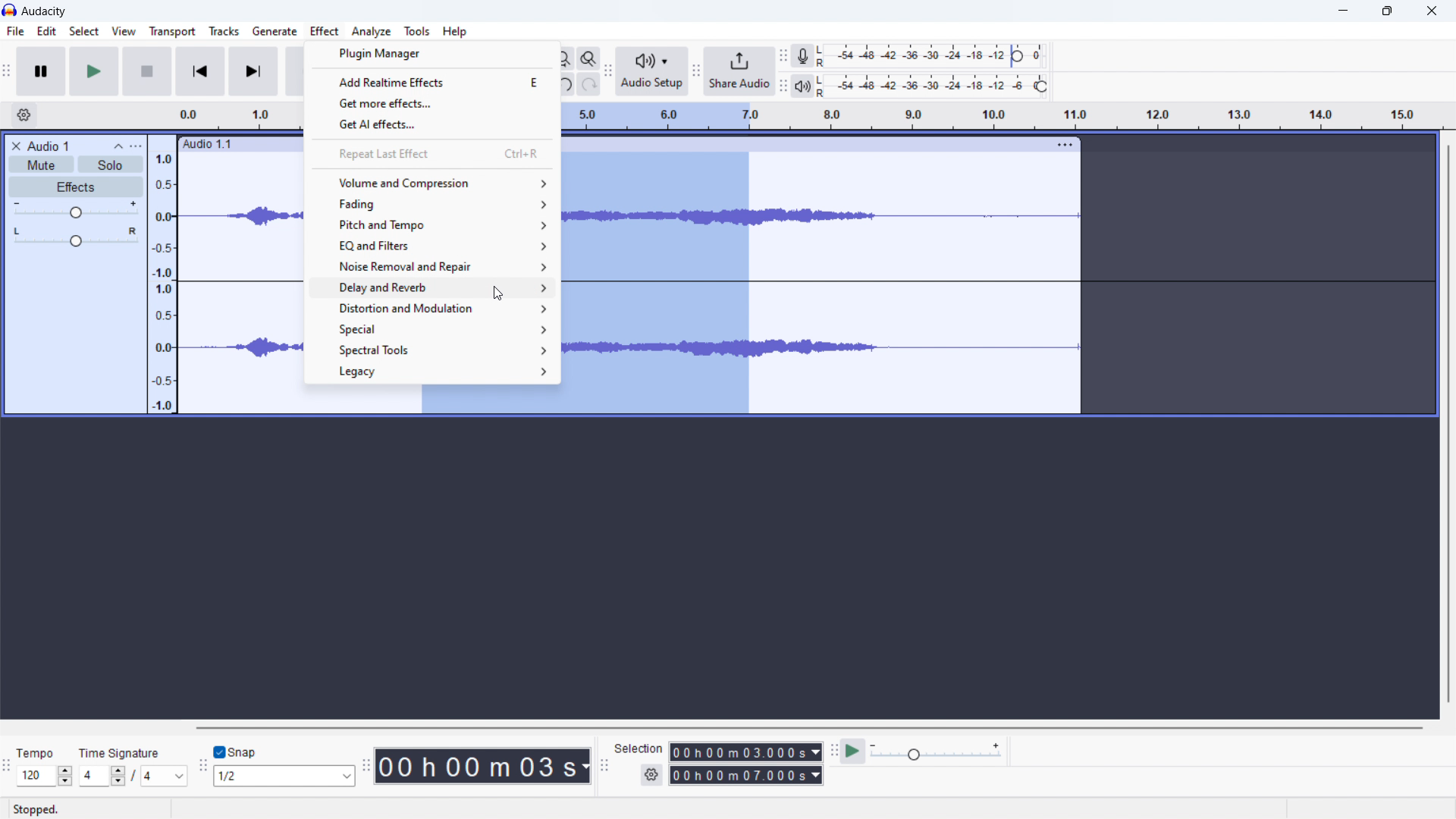 The image size is (1456, 819). I want to click on audacity transport window, so click(7, 70).